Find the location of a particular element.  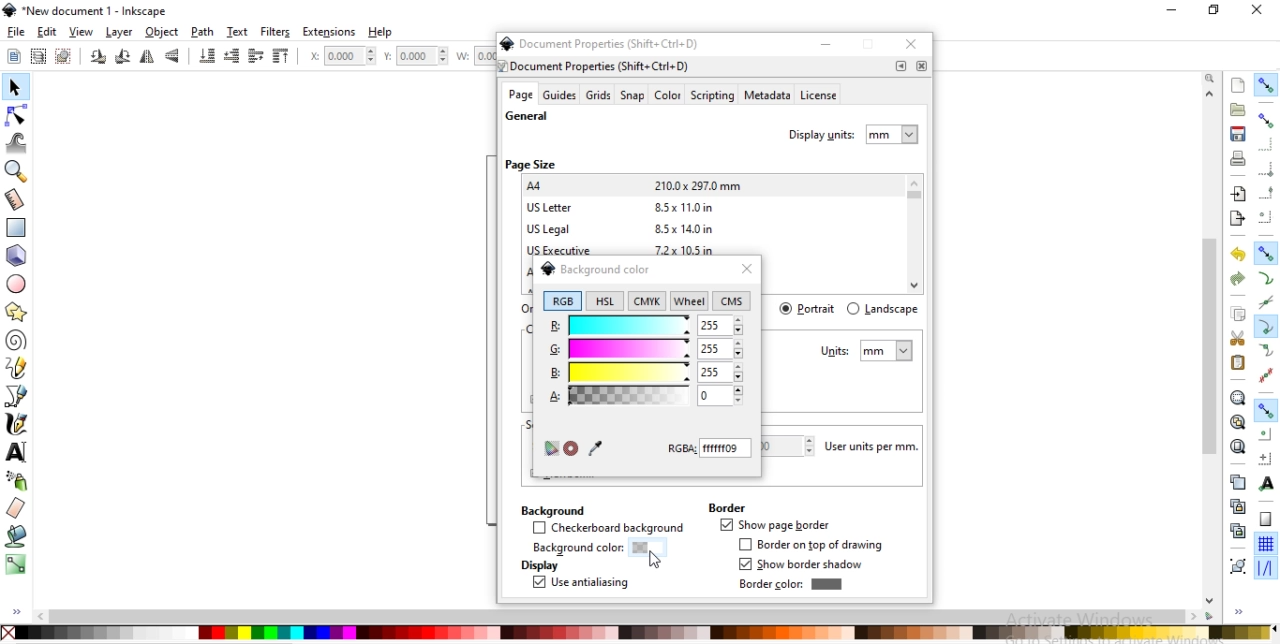

vertical coordinate of selection is located at coordinates (418, 56).